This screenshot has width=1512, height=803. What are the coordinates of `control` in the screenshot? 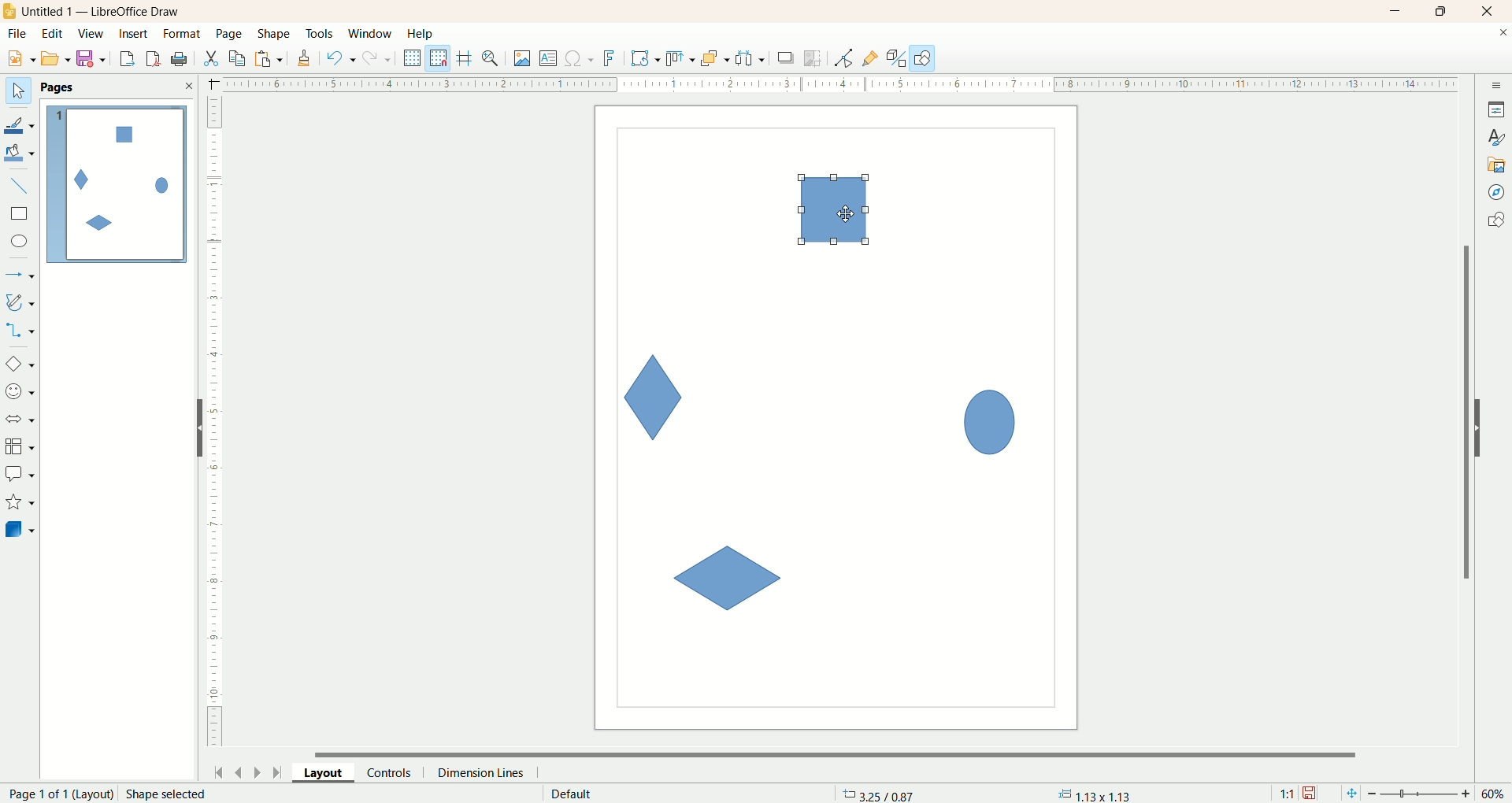 It's located at (396, 772).